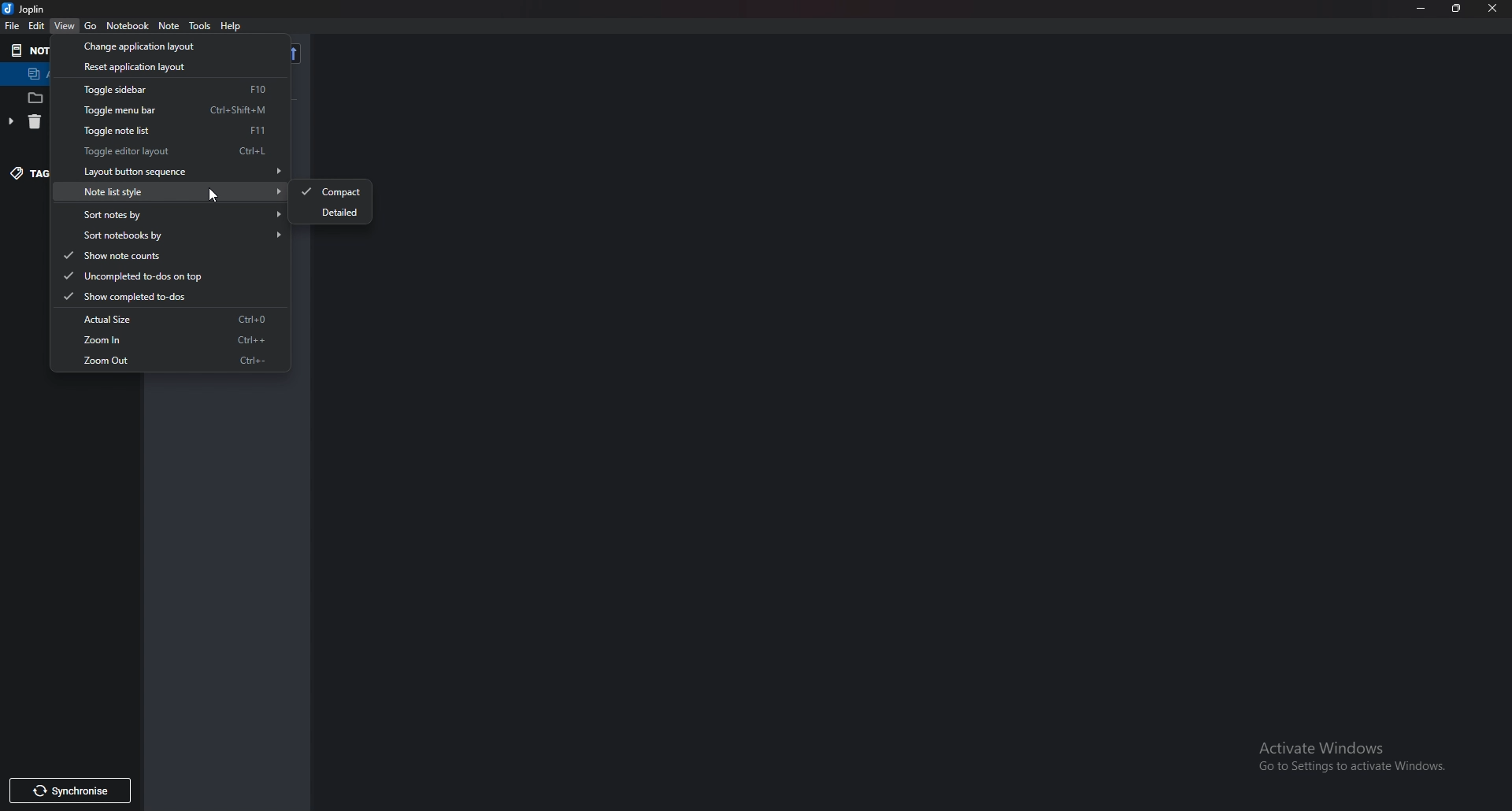  I want to click on Minimize, so click(1423, 9).